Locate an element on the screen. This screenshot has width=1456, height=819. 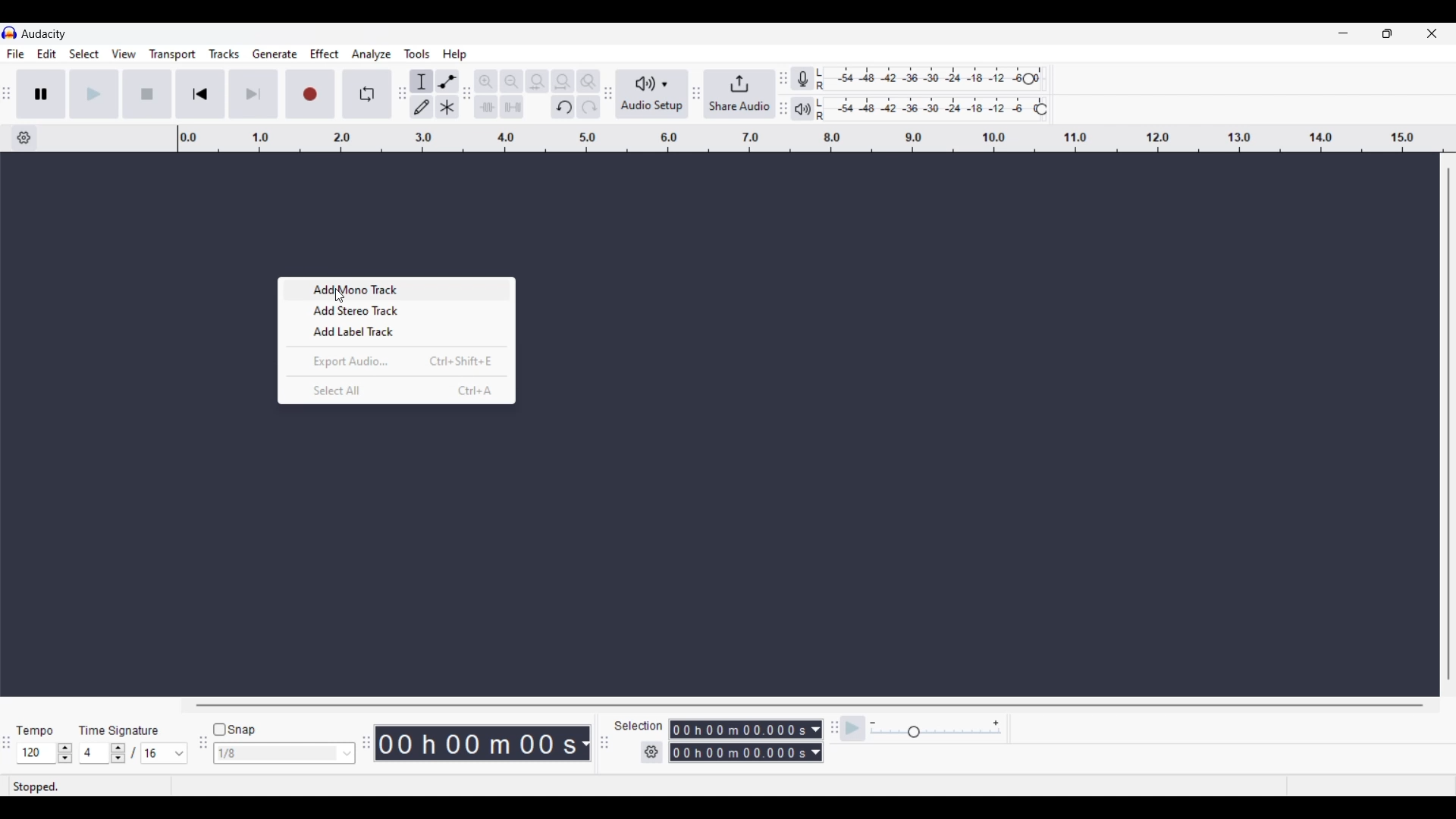
Close interface is located at coordinates (1432, 33).